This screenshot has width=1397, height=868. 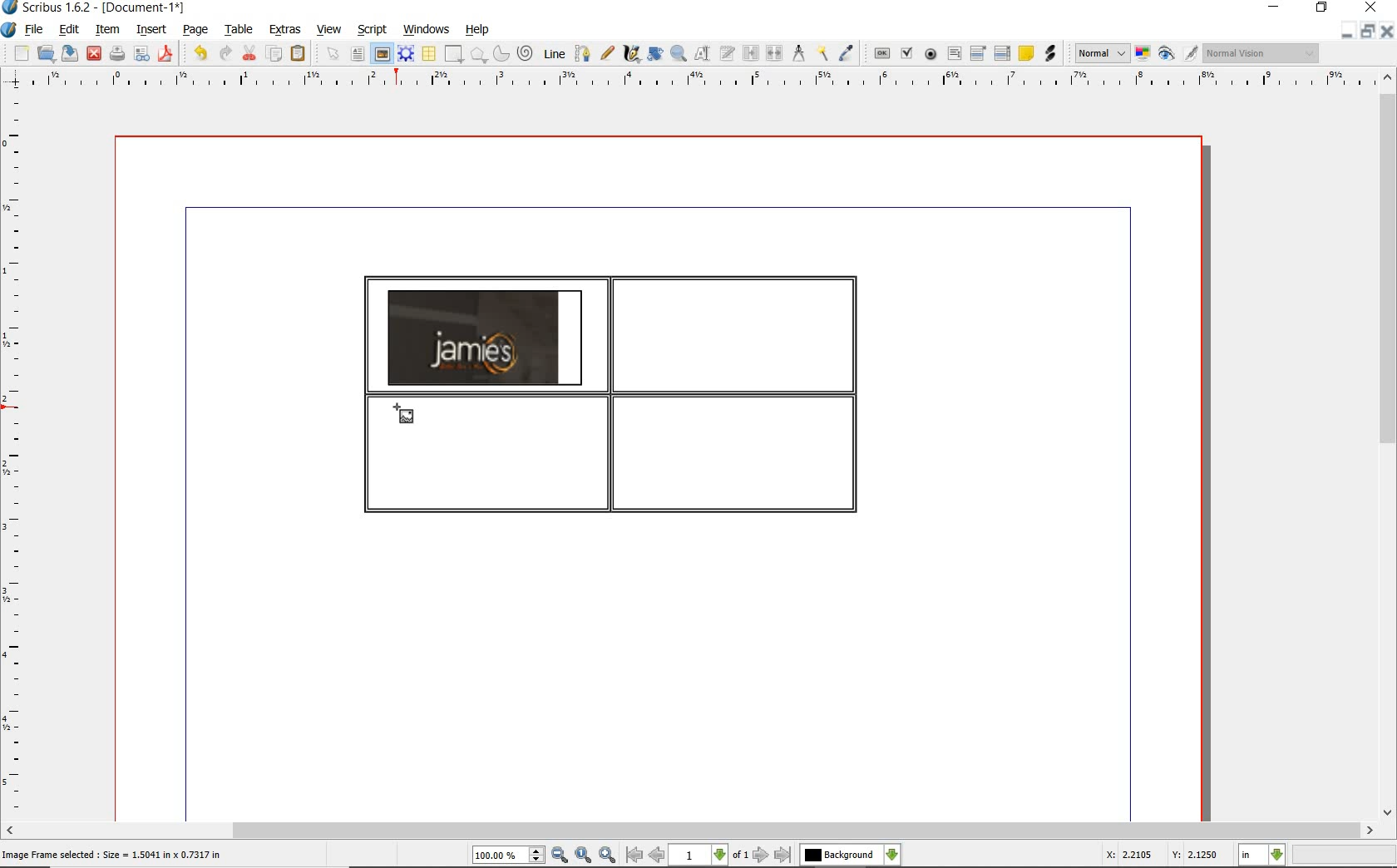 What do you see at coordinates (382, 54) in the screenshot?
I see `image` at bounding box center [382, 54].